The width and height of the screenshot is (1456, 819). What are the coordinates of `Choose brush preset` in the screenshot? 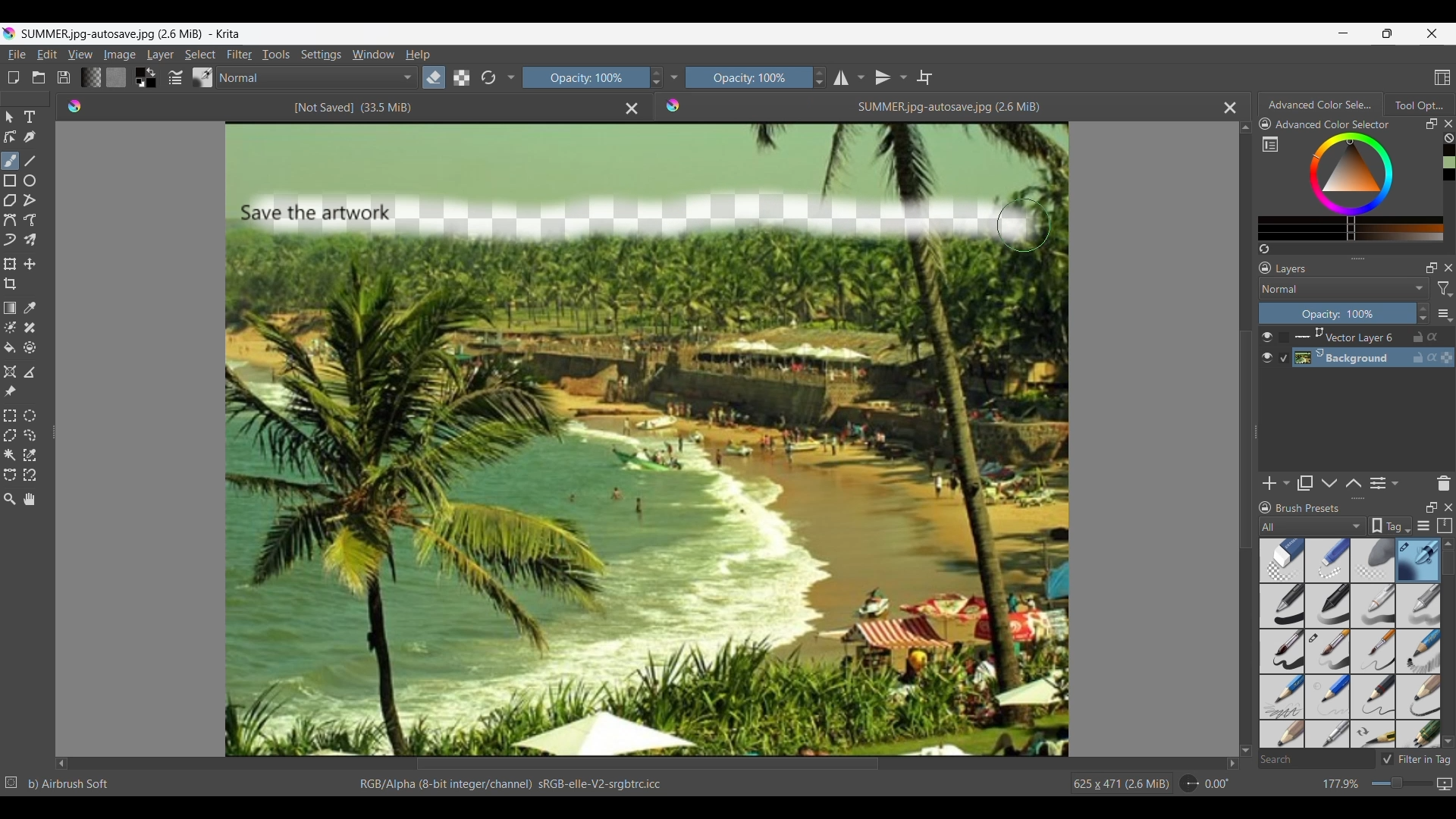 It's located at (203, 77).